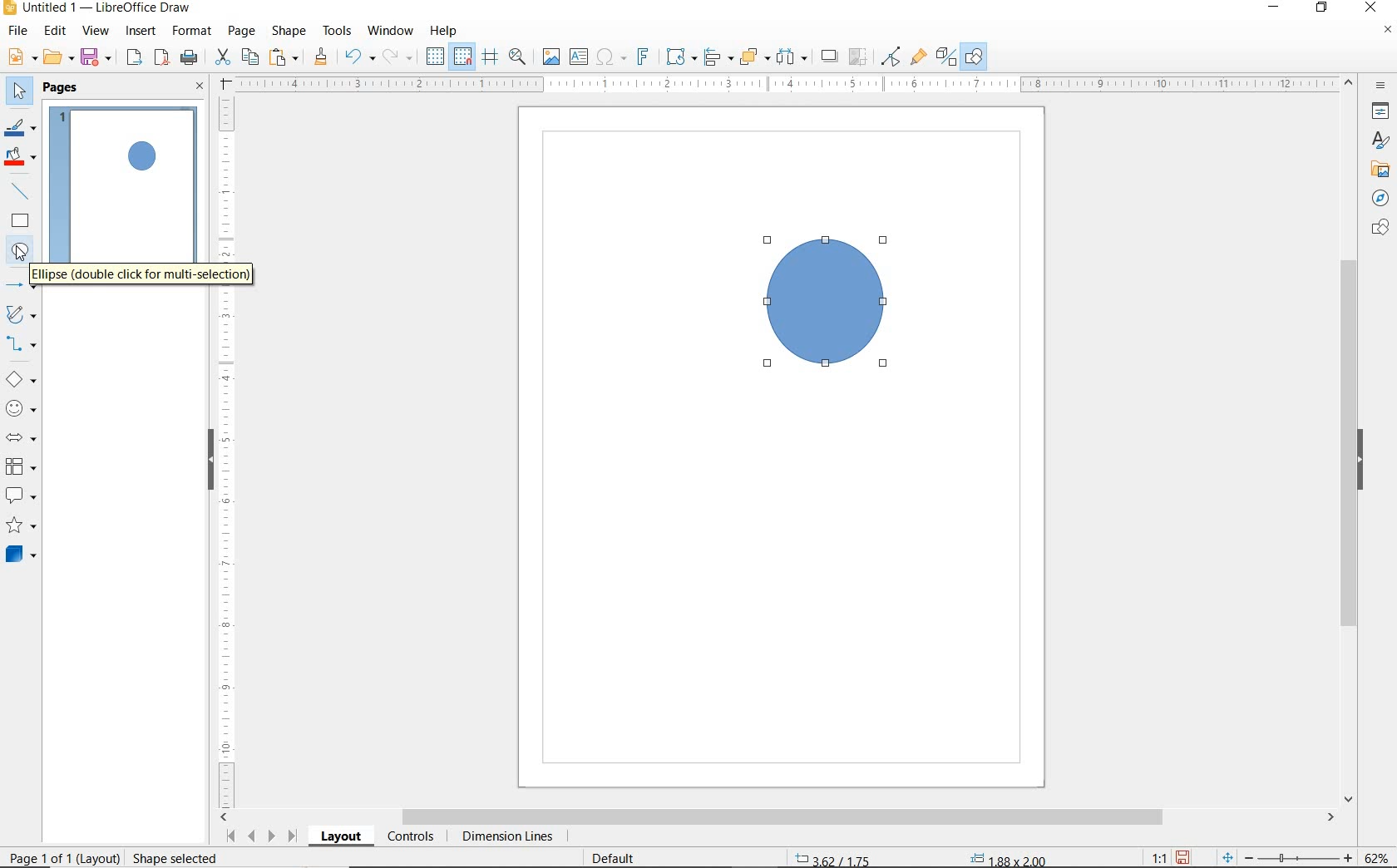 The height and width of the screenshot is (868, 1397). Describe the element at coordinates (398, 57) in the screenshot. I see `REDO` at that location.